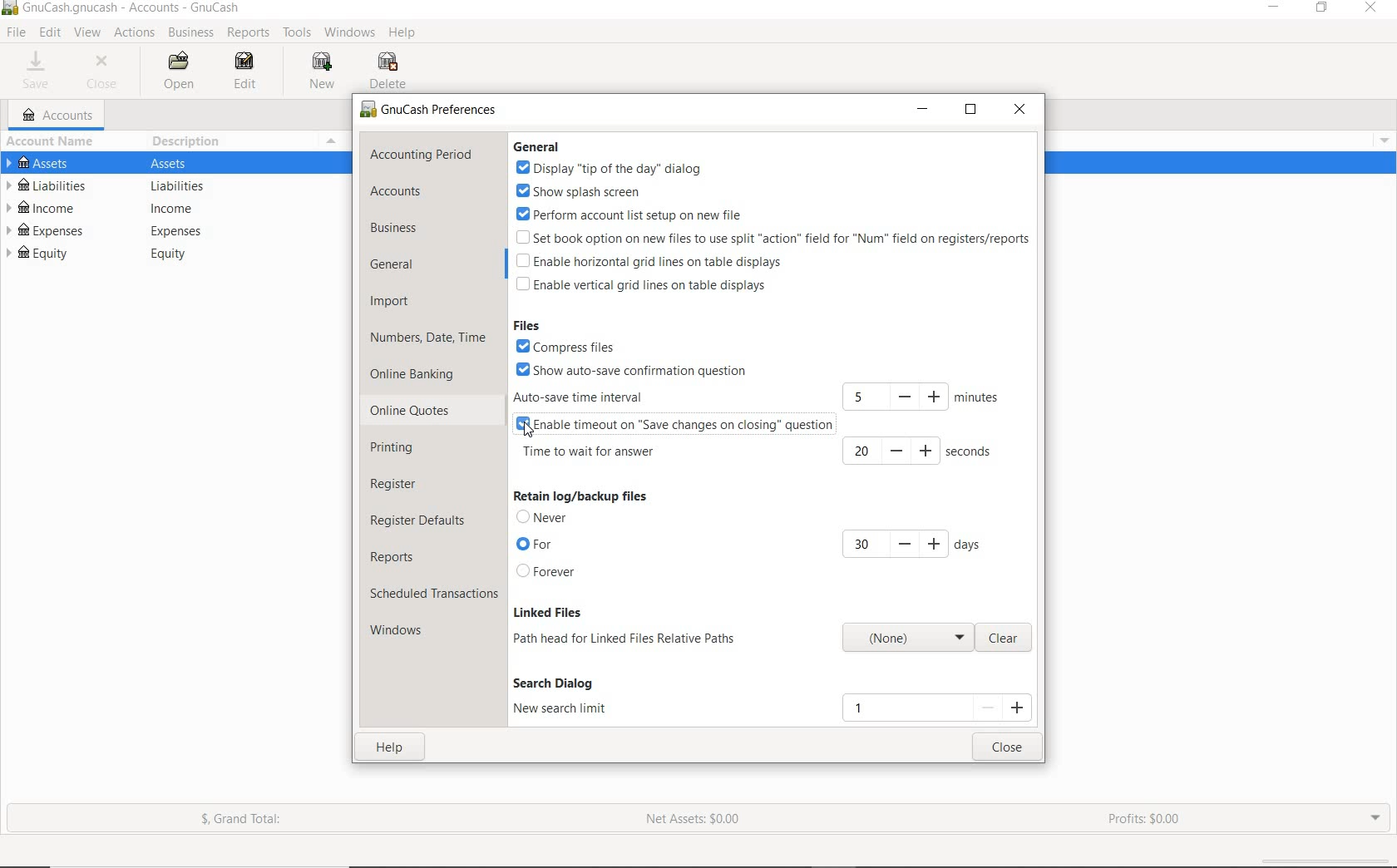 The height and width of the screenshot is (868, 1397). What do you see at coordinates (430, 339) in the screenshot?
I see `NUMBERS, DATE, TIME` at bounding box center [430, 339].